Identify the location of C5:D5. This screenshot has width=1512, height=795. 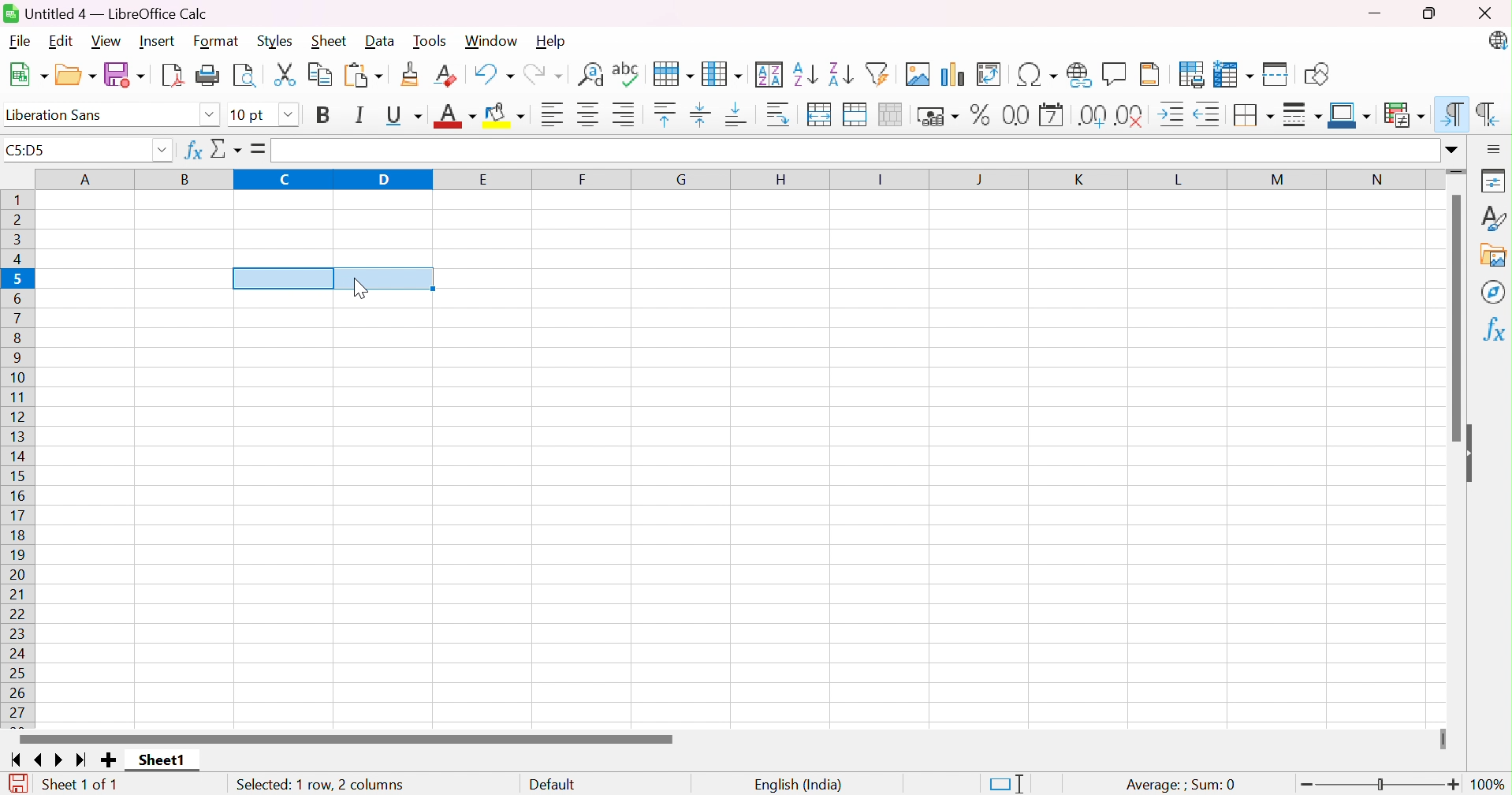
(32, 152).